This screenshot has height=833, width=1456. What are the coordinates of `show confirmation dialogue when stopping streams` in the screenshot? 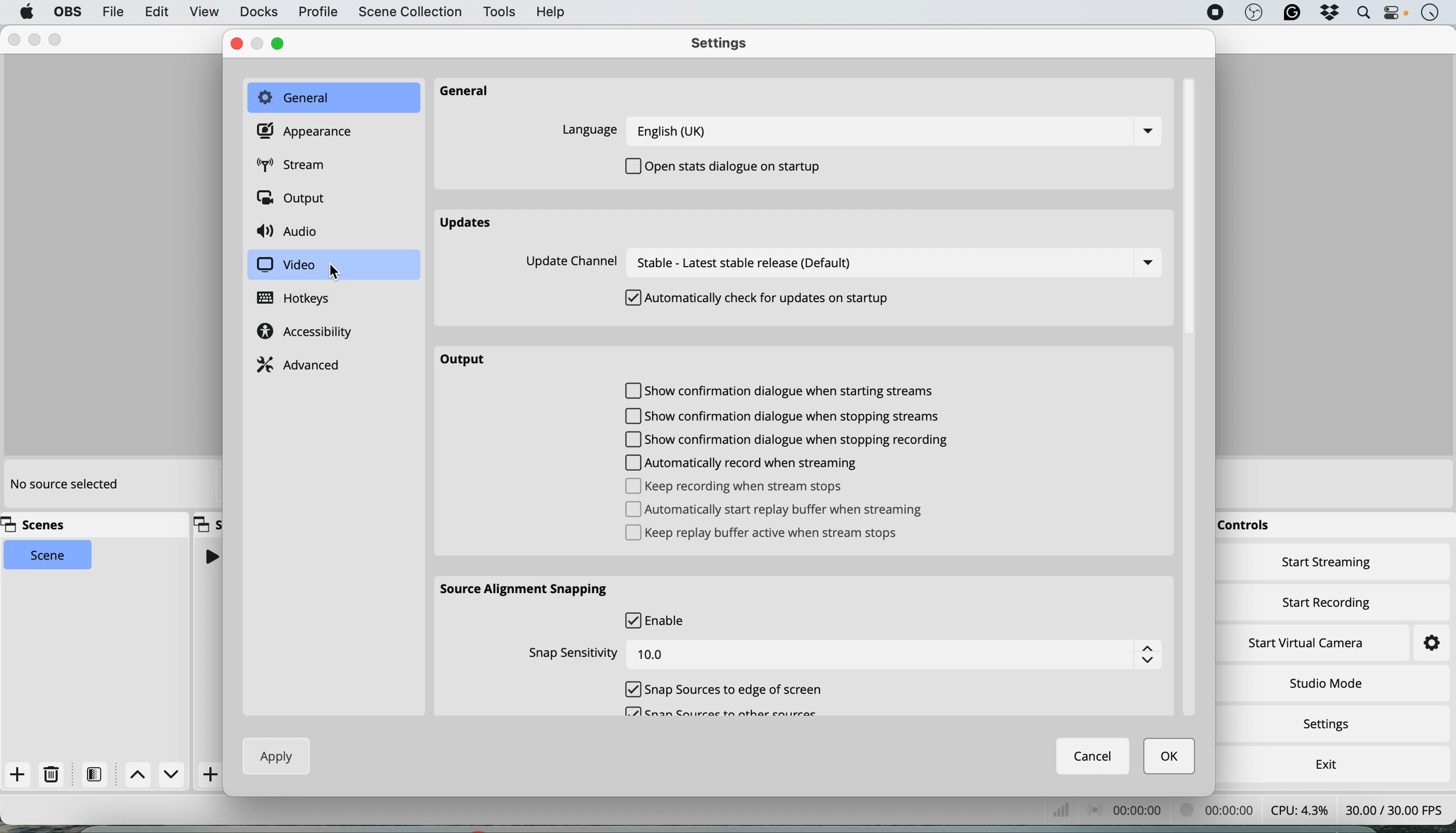 It's located at (782, 418).